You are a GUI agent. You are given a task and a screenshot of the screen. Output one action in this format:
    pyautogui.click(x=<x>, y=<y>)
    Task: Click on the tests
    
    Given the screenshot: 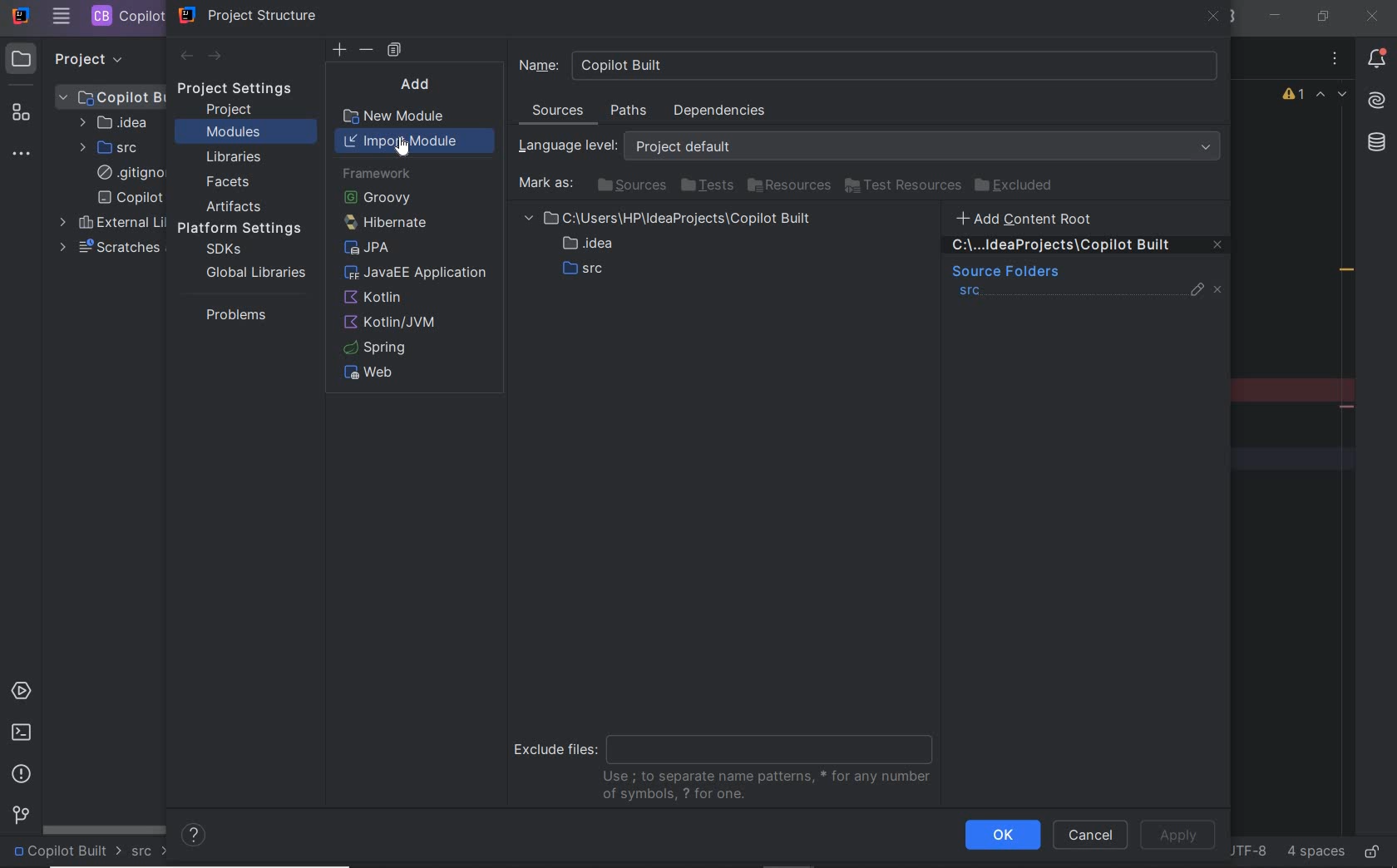 What is the action you would take?
    pyautogui.click(x=707, y=186)
    